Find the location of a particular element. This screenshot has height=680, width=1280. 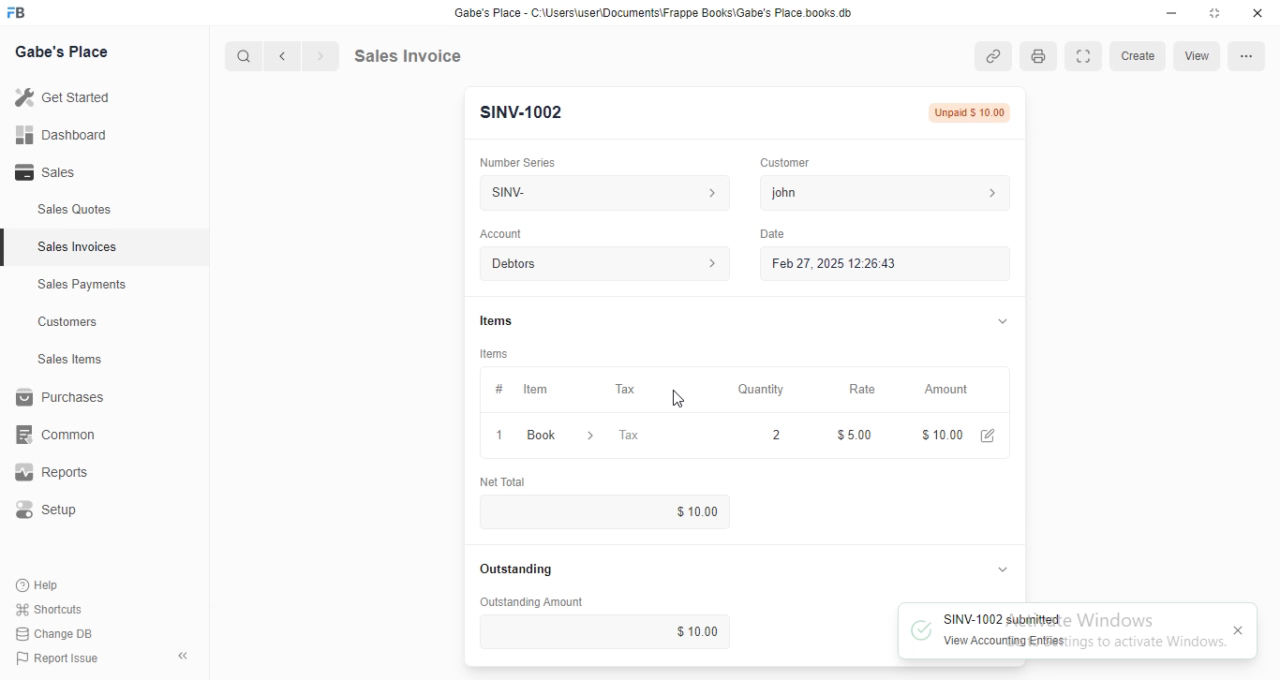

$10.00 is located at coordinates (703, 630).